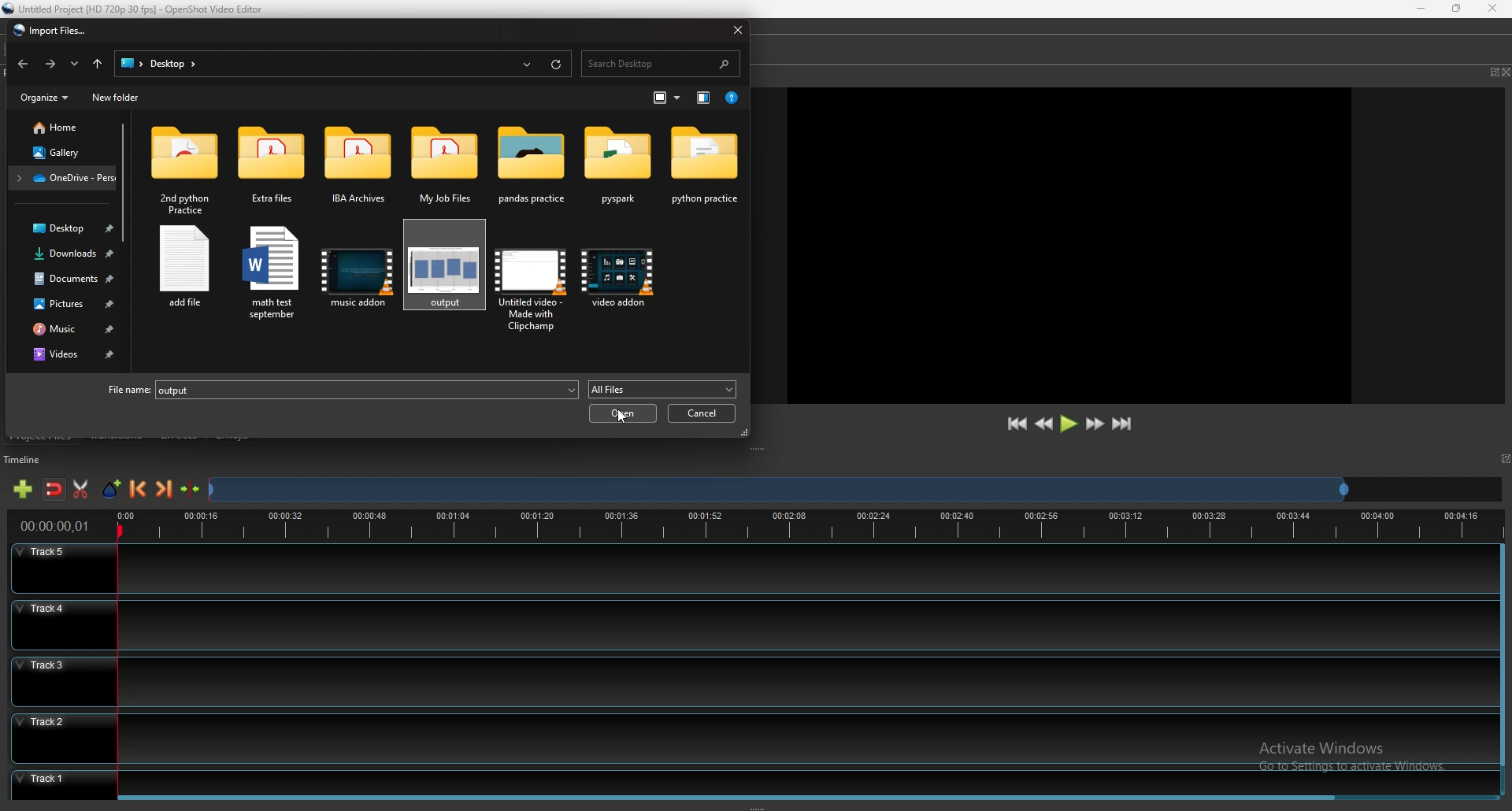 This screenshot has width=1512, height=811. What do you see at coordinates (98, 65) in the screenshot?
I see `upto desktop` at bounding box center [98, 65].